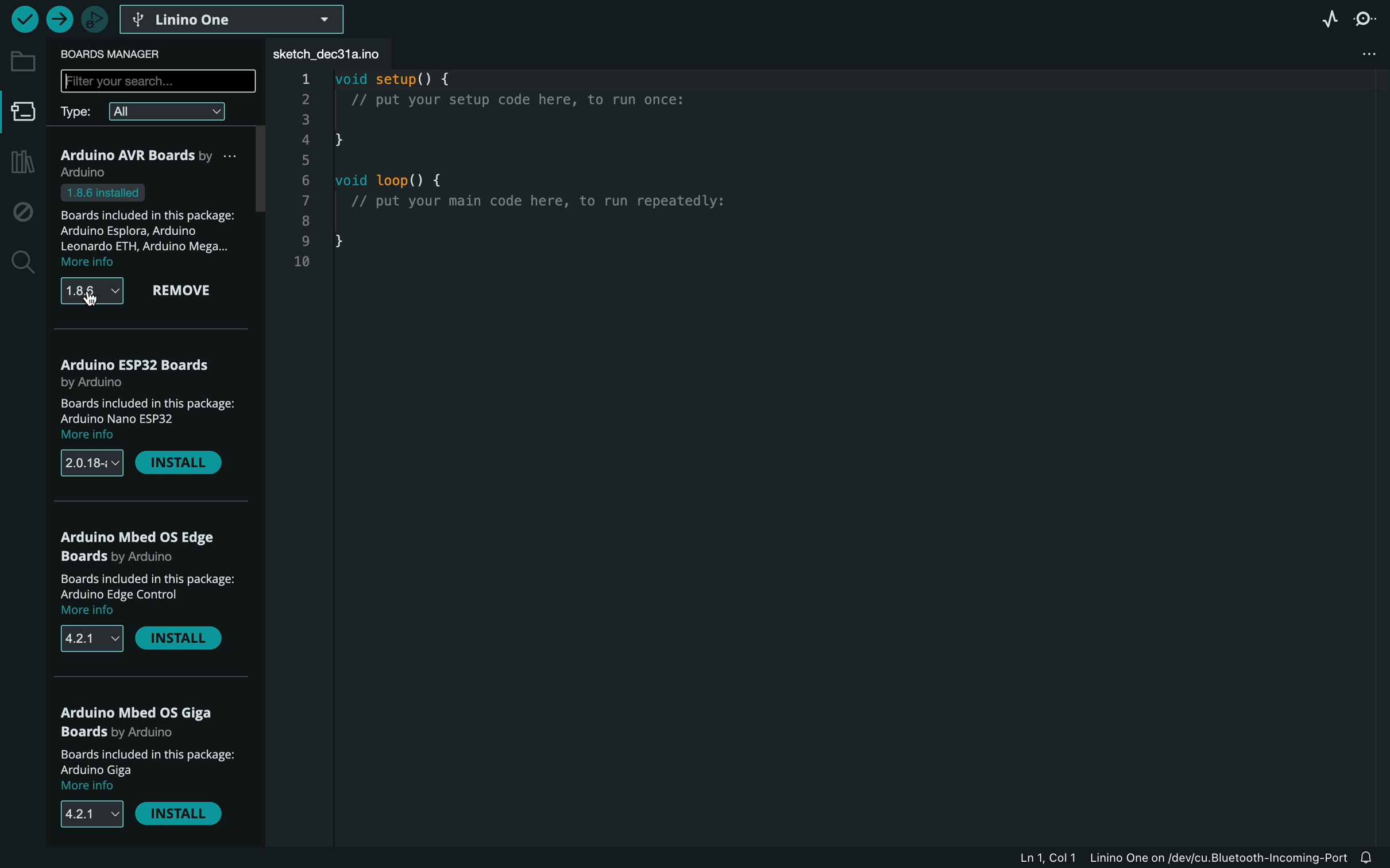 This screenshot has height=868, width=1390. Describe the element at coordinates (337, 54) in the screenshot. I see `file tab` at that location.